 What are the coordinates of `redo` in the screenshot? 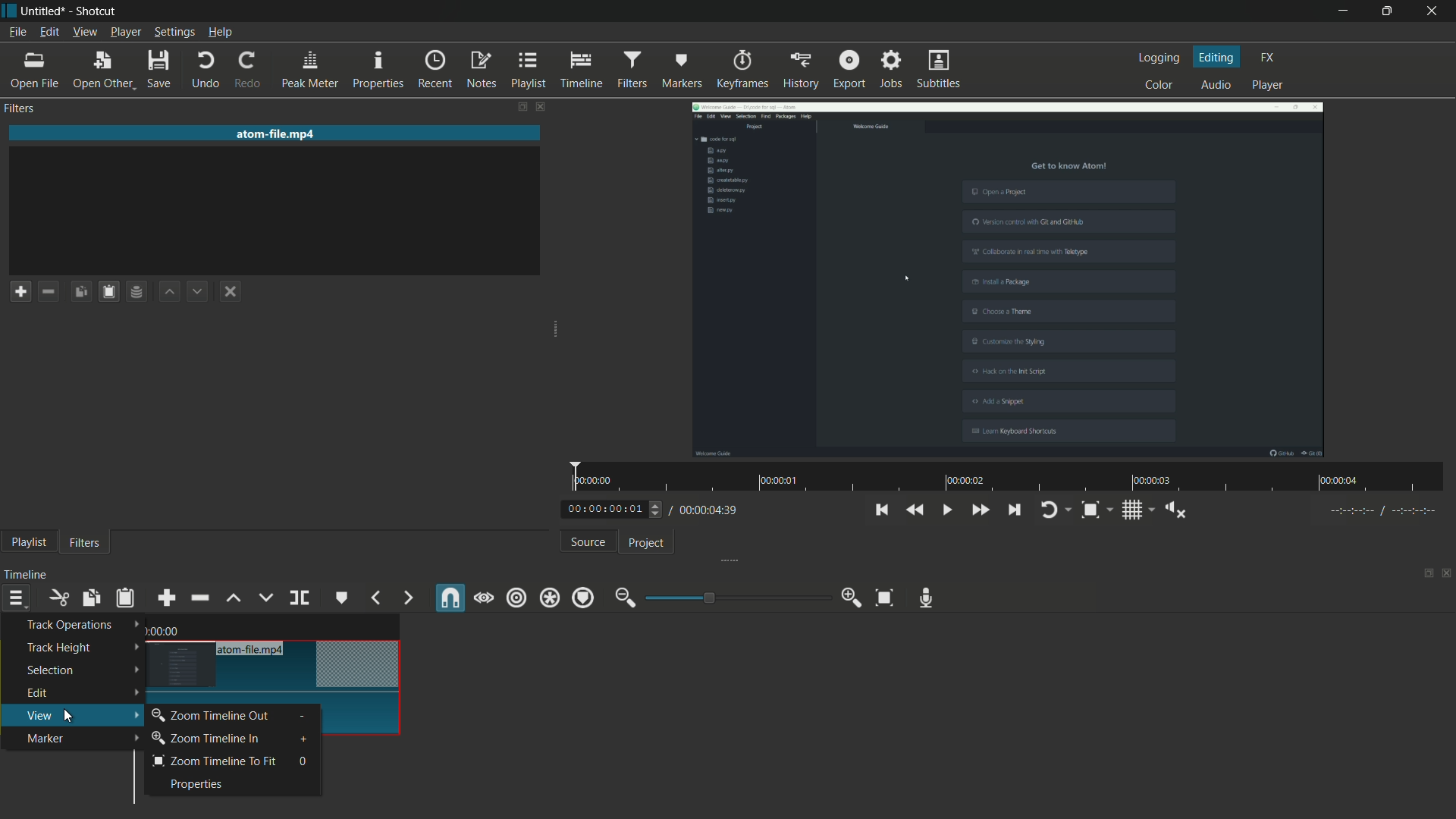 It's located at (249, 69).